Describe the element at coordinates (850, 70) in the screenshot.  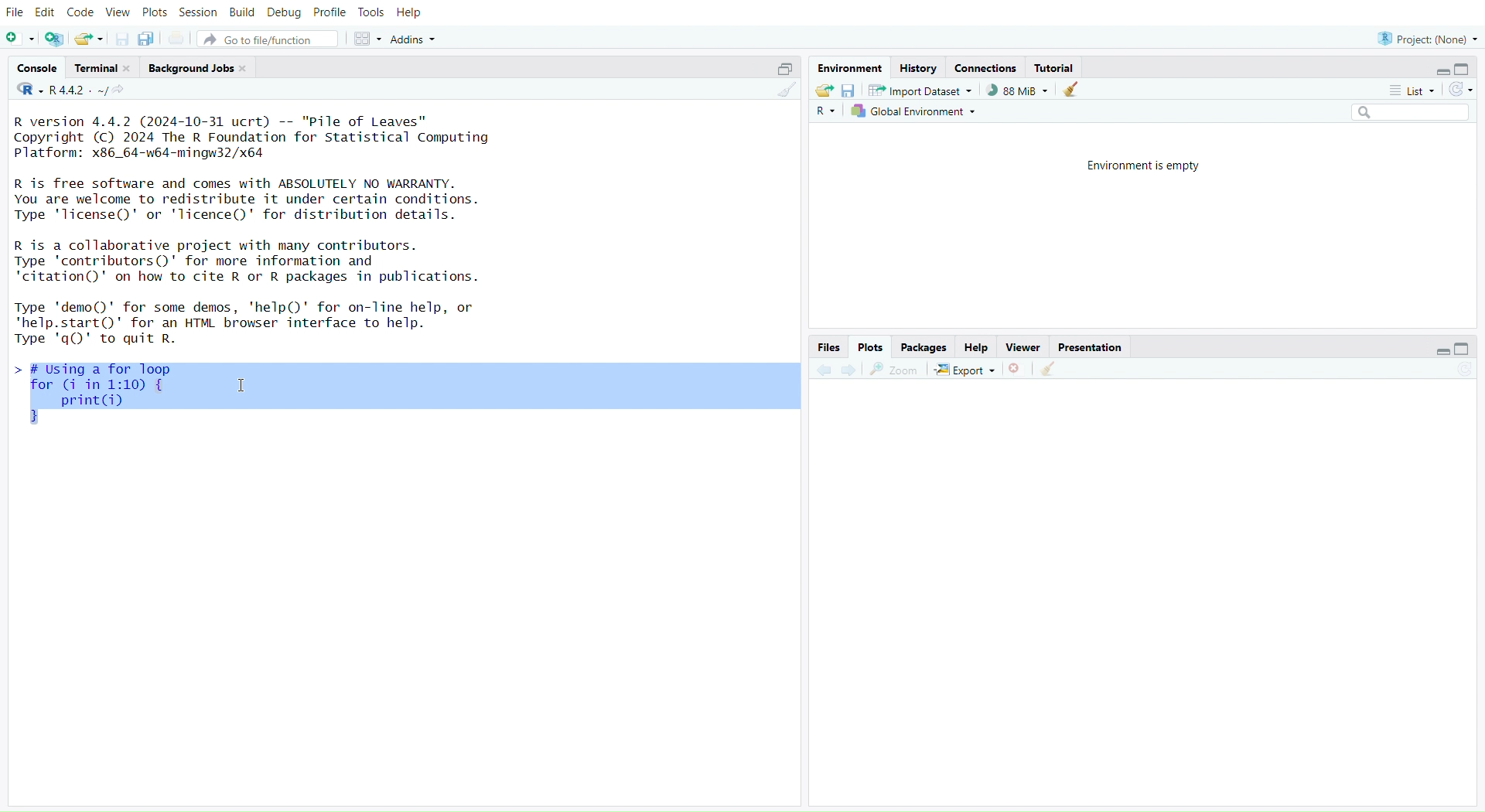
I see `environment` at that location.